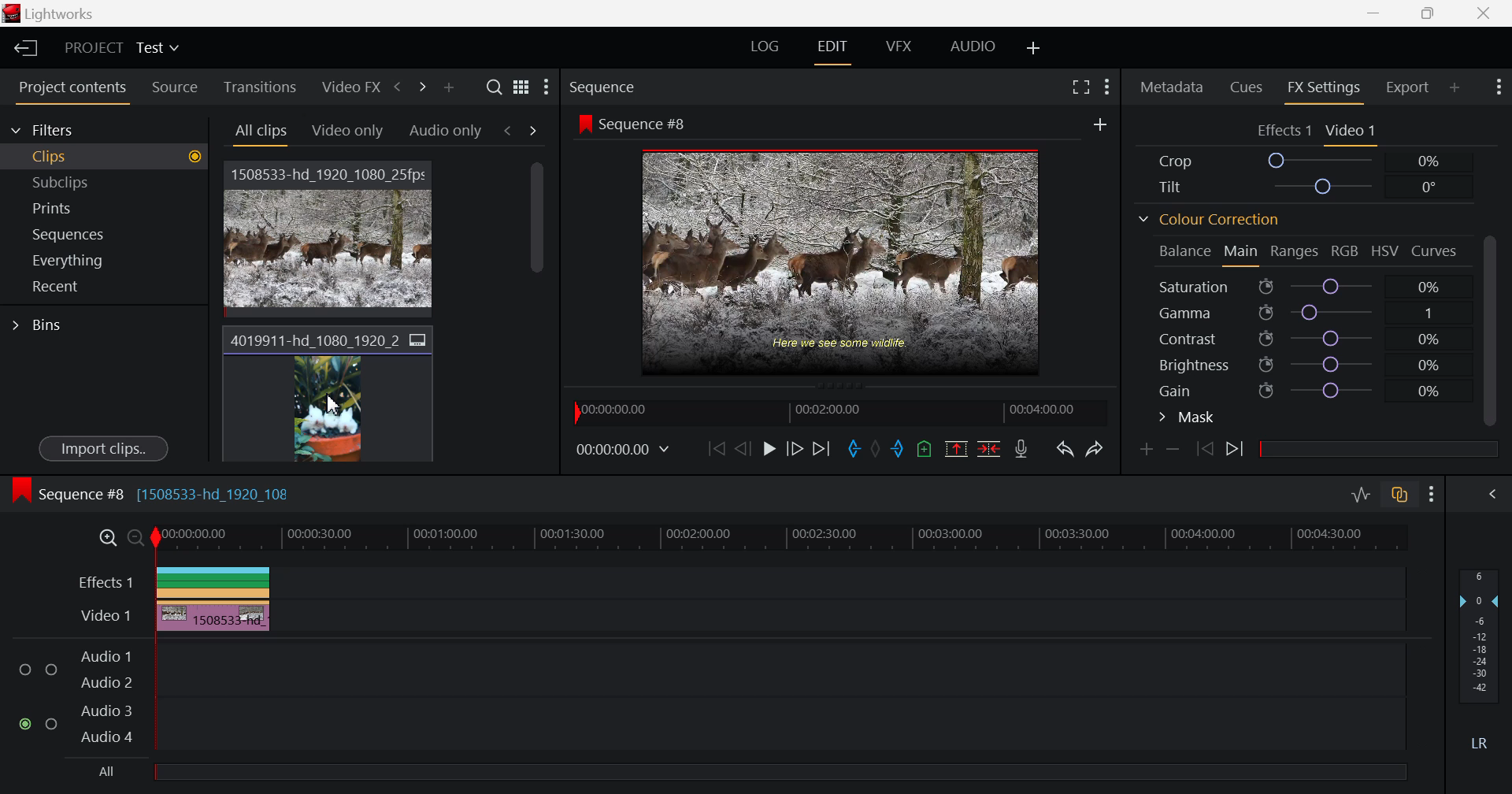 The height and width of the screenshot is (794, 1512). I want to click on Scroll bar, so click(1494, 327).